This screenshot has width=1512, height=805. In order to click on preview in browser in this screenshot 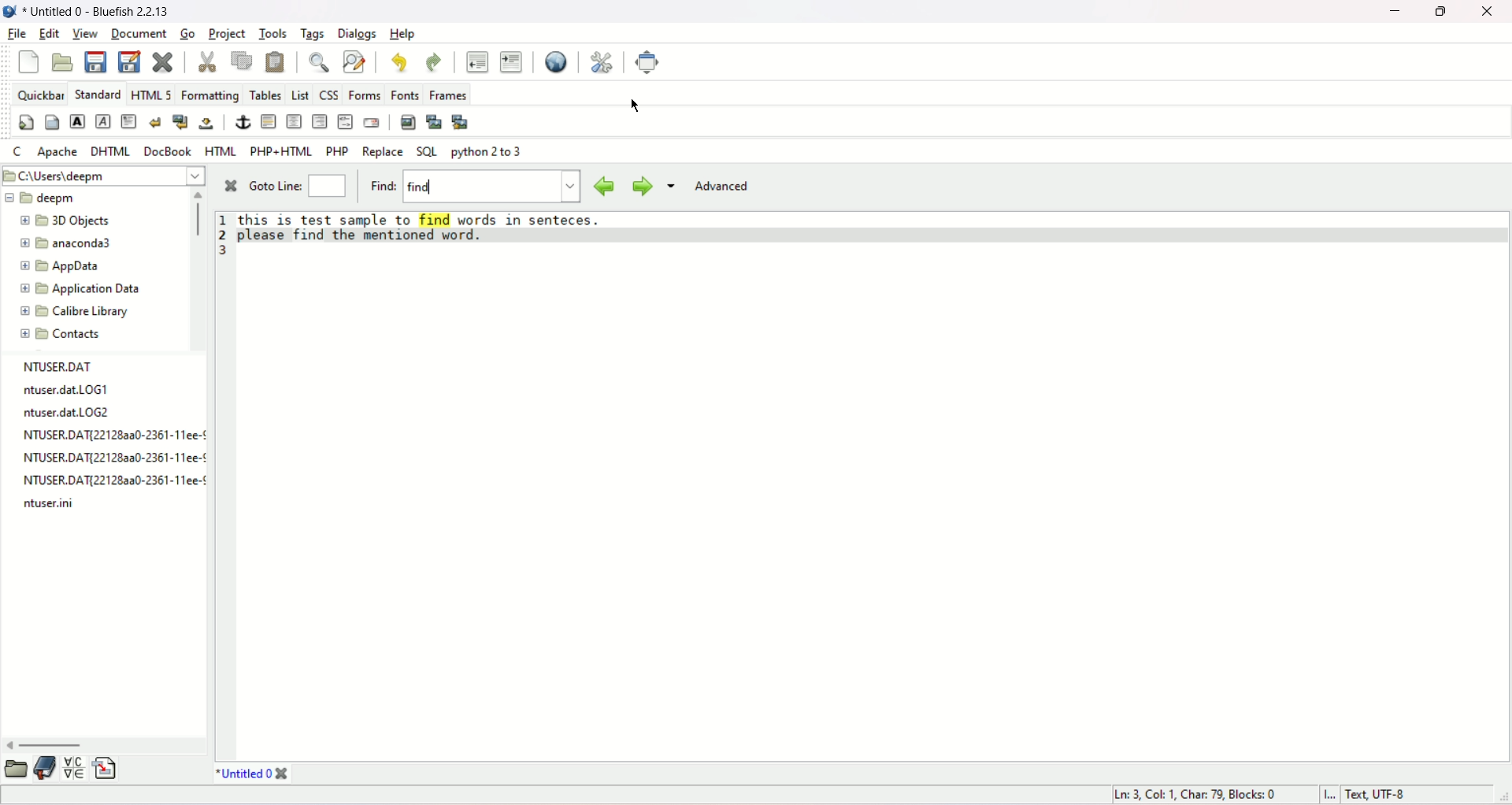, I will do `click(557, 61)`.